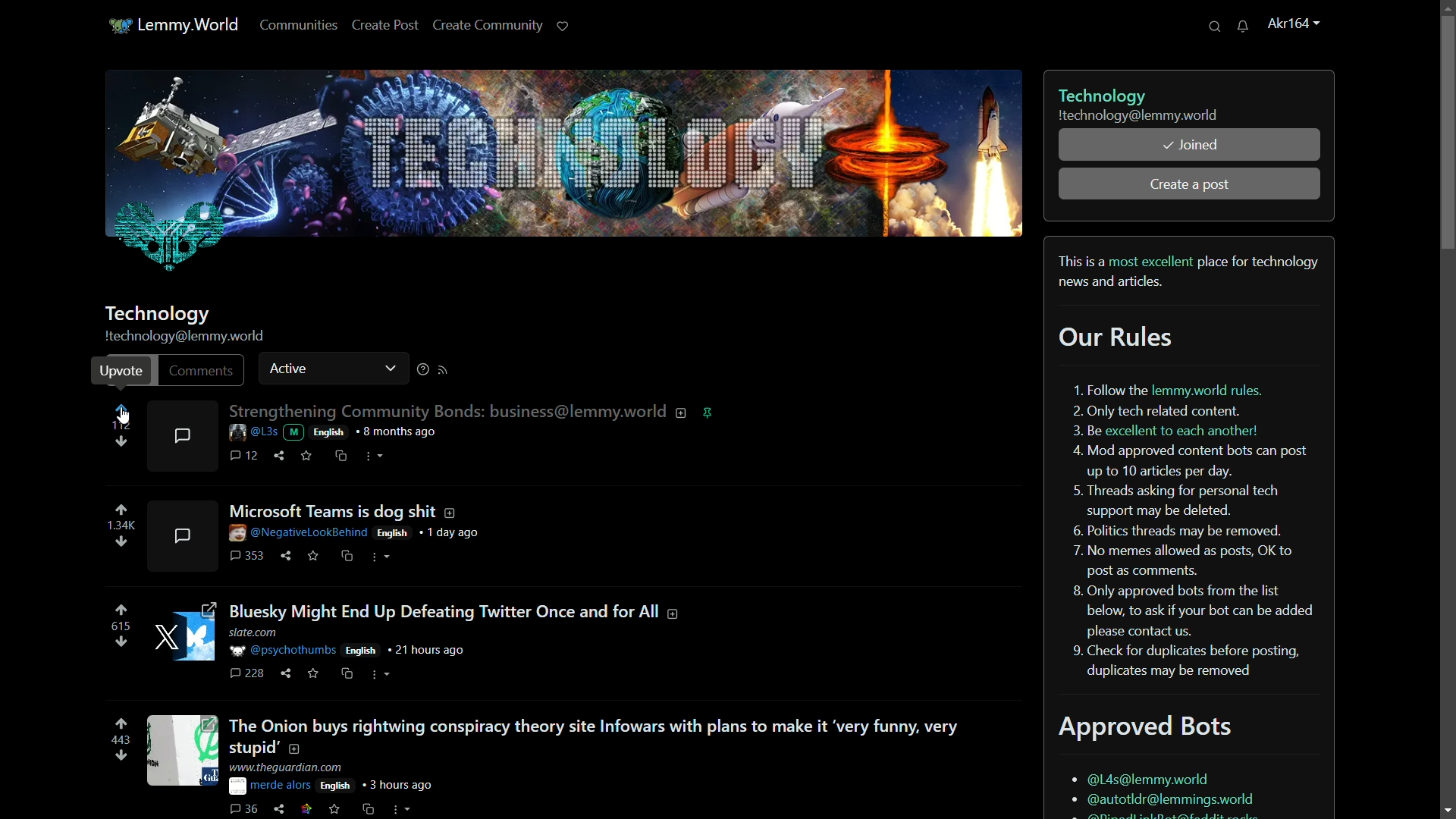  Describe the element at coordinates (381, 676) in the screenshot. I see `more` at that location.